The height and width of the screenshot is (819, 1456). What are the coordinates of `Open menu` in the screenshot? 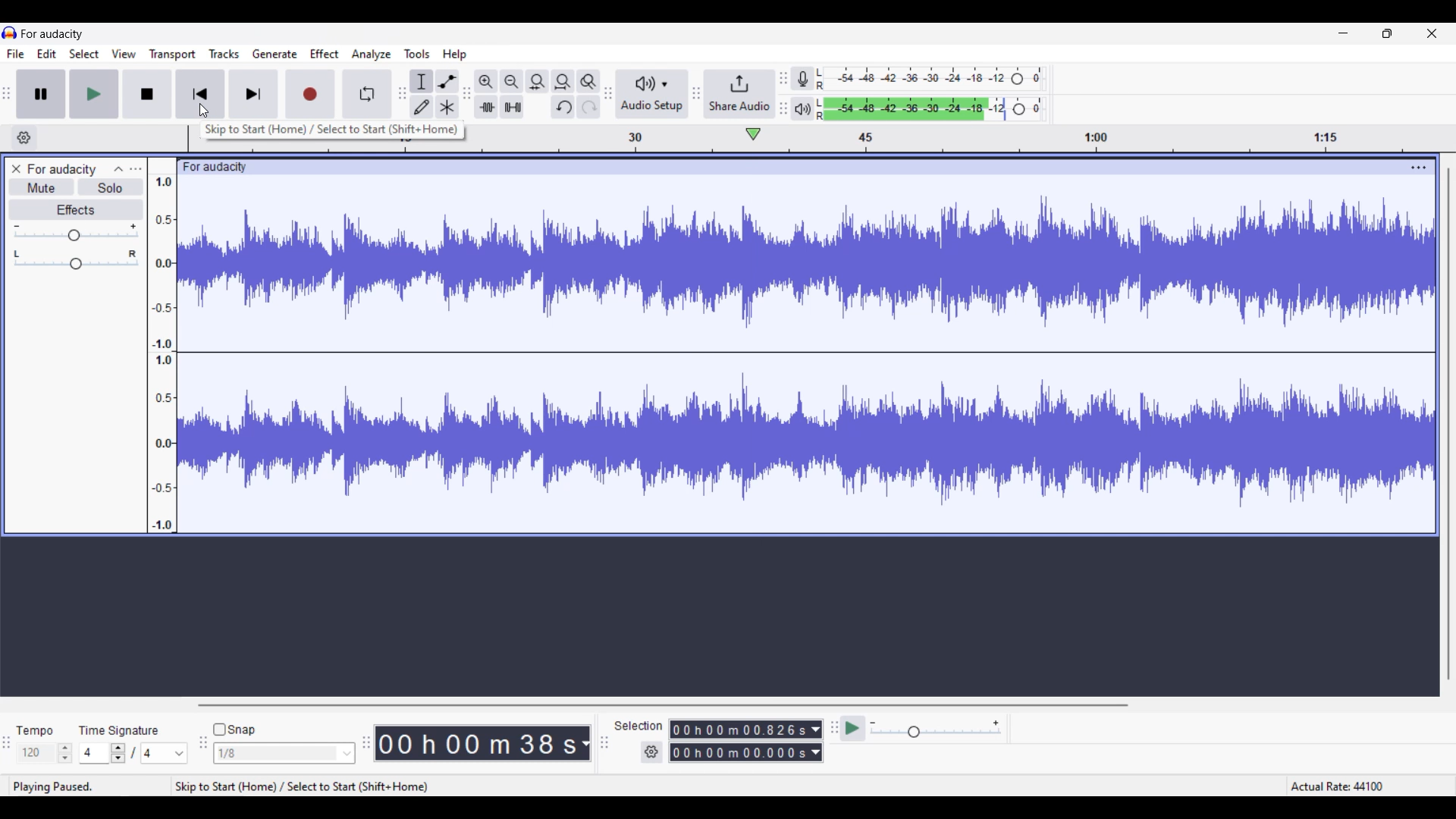 It's located at (136, 170).